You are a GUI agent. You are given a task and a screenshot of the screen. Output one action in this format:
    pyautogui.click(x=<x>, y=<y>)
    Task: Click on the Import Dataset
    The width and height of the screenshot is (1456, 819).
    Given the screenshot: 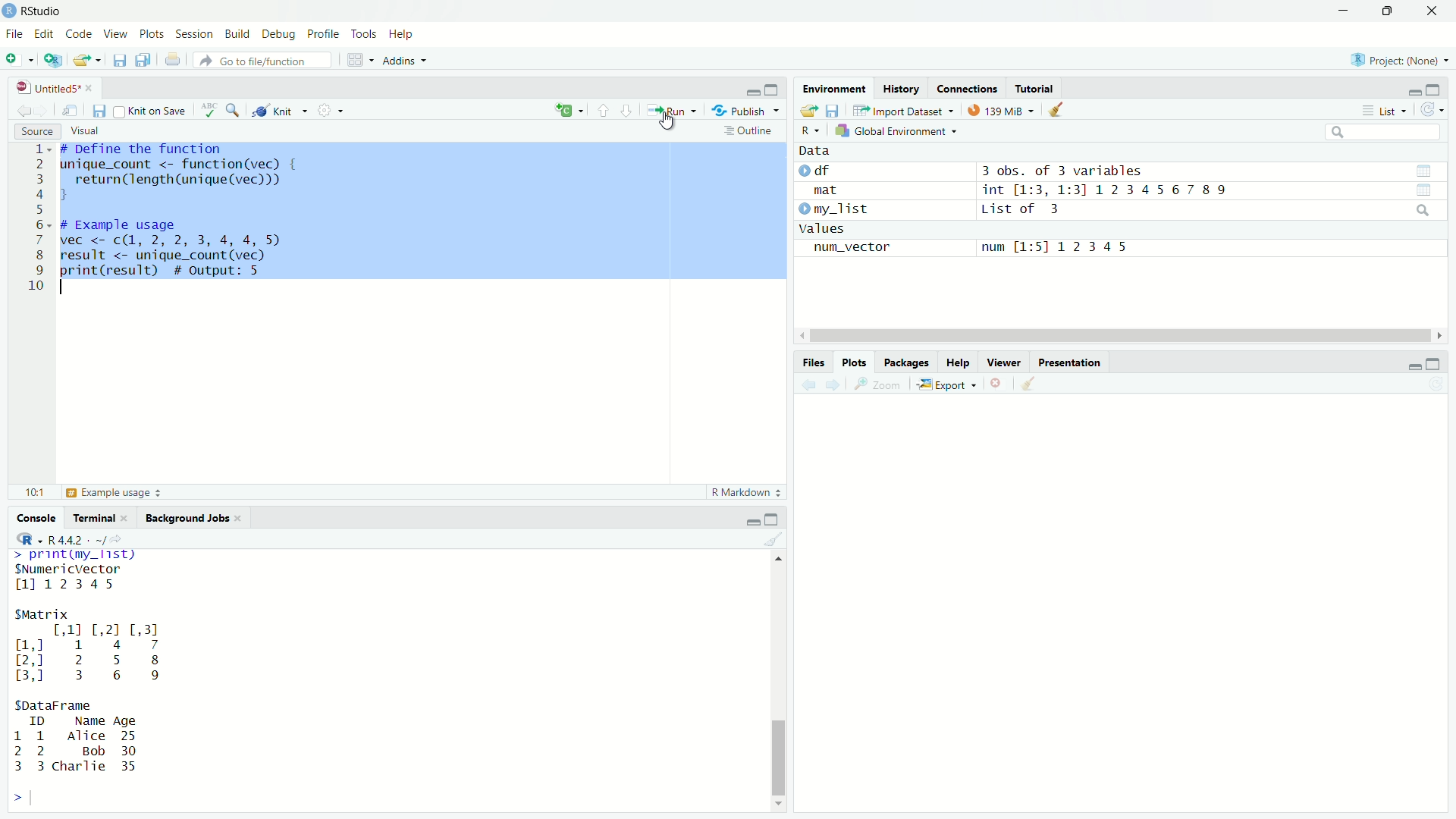 What is the action you would take?
    pyautogui.click(x=902, y=111)
    